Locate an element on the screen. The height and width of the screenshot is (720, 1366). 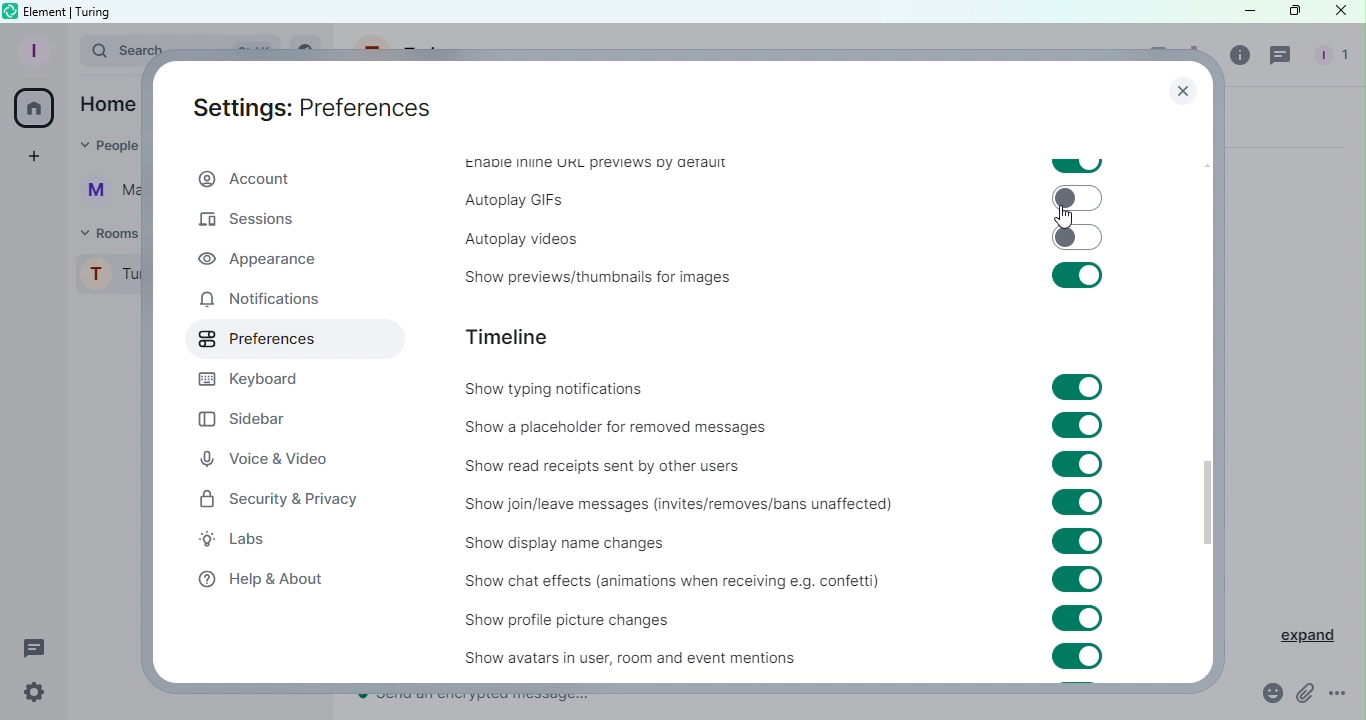
Expand is located at coordinates (1296, 632).